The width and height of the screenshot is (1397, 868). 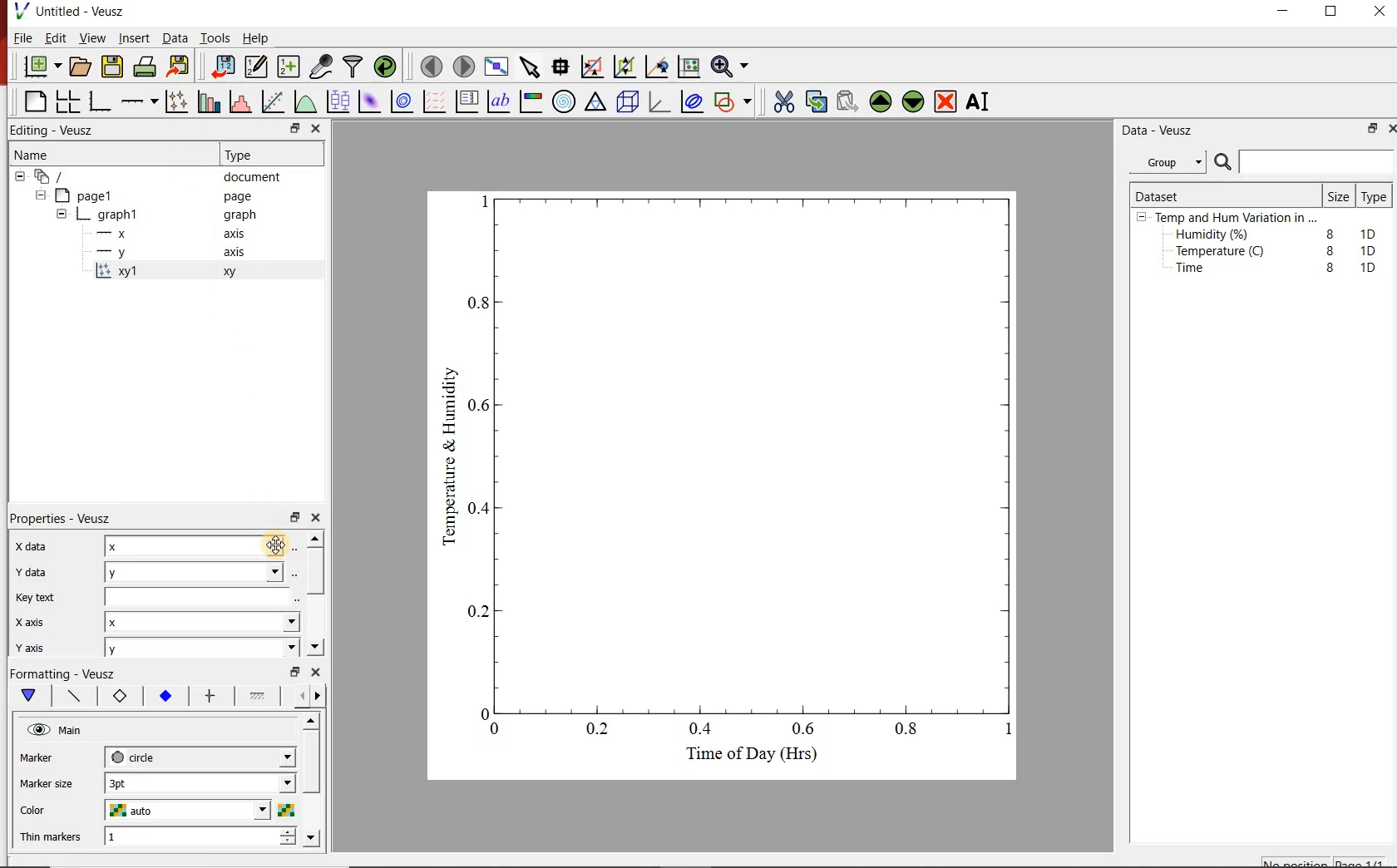 I want to click on xy1, so click(x=126, y=271).